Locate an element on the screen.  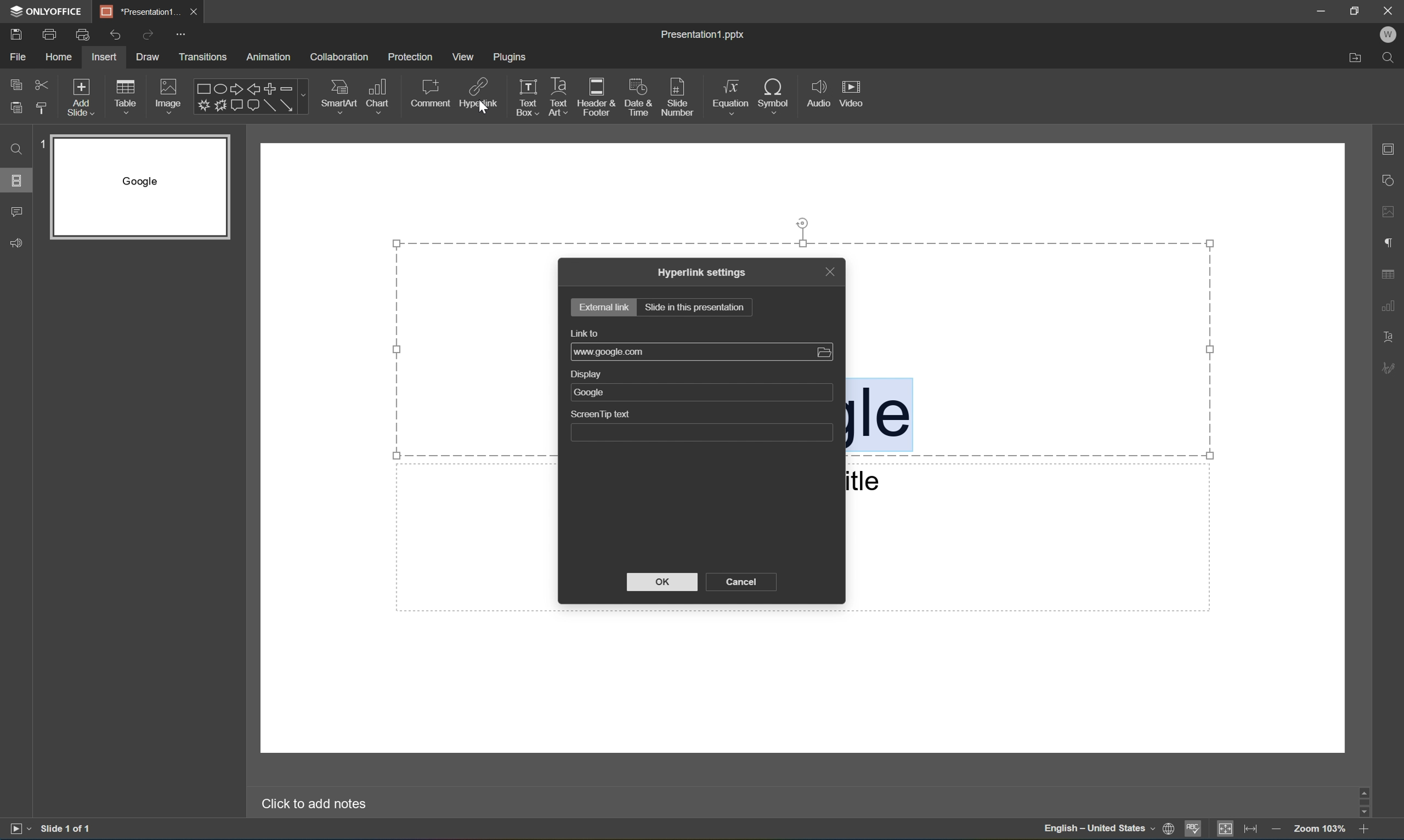
Zoom 103% is located at coordinates (1321, 828).